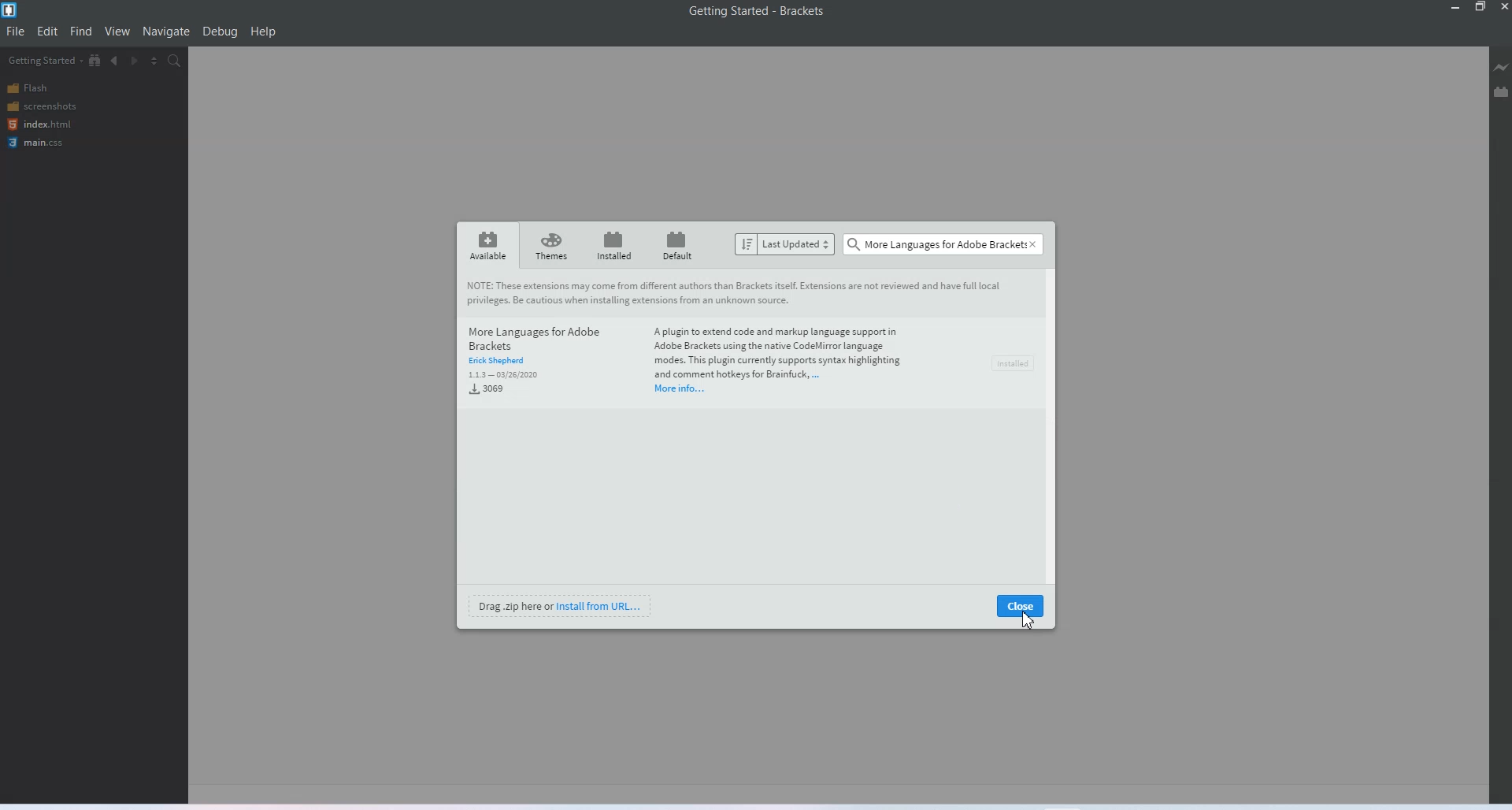 The image size is (1512, 810). Describe the element at coordinates (498, 362) in the screenshot. I see `Author` at that location.